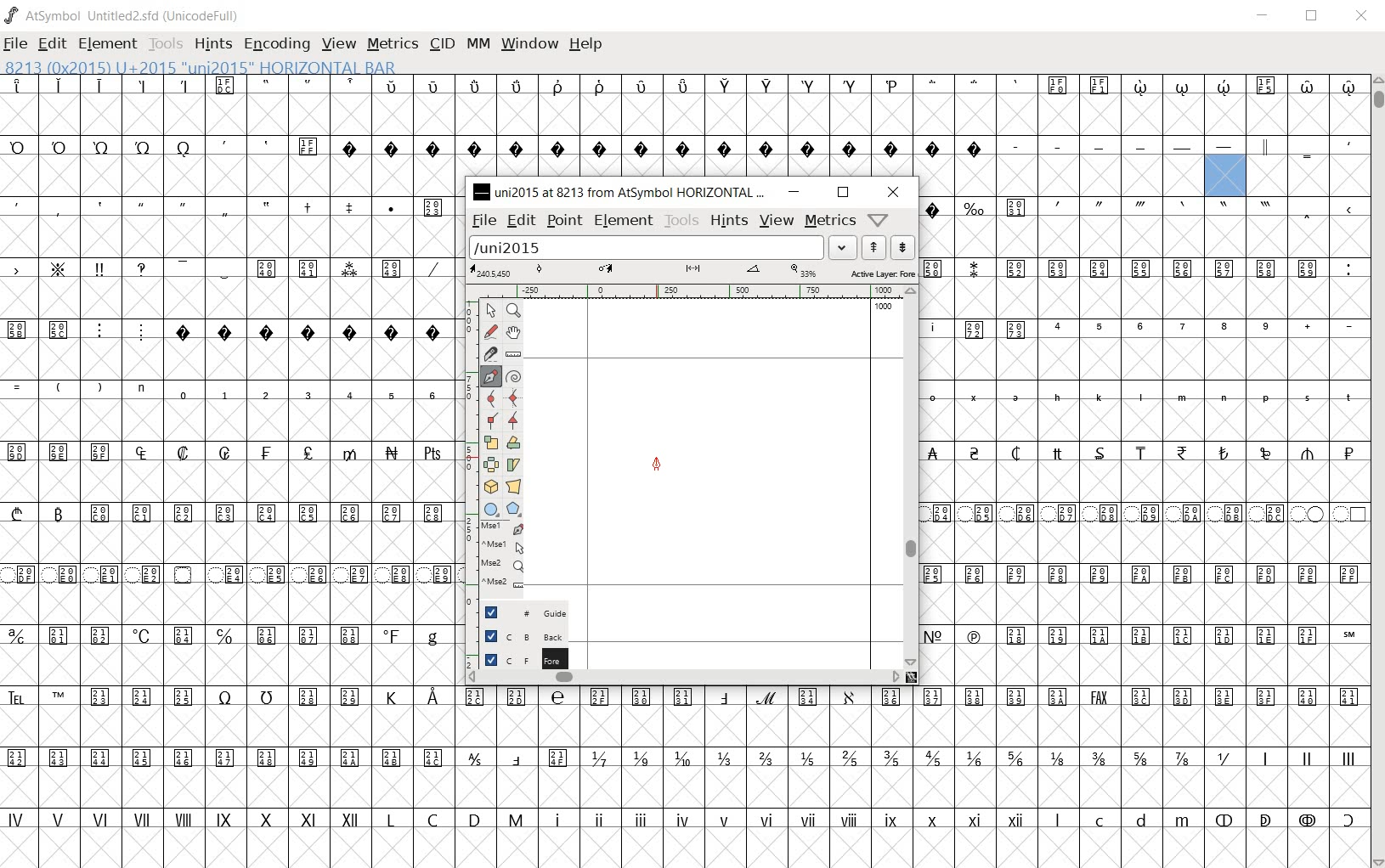 Image resolution: width=1385 pixels, height=868 pixels. What do you see at coordinates (531, 43) in the screenshot?
I see `WINDOW` at bounding box center [531, 43].